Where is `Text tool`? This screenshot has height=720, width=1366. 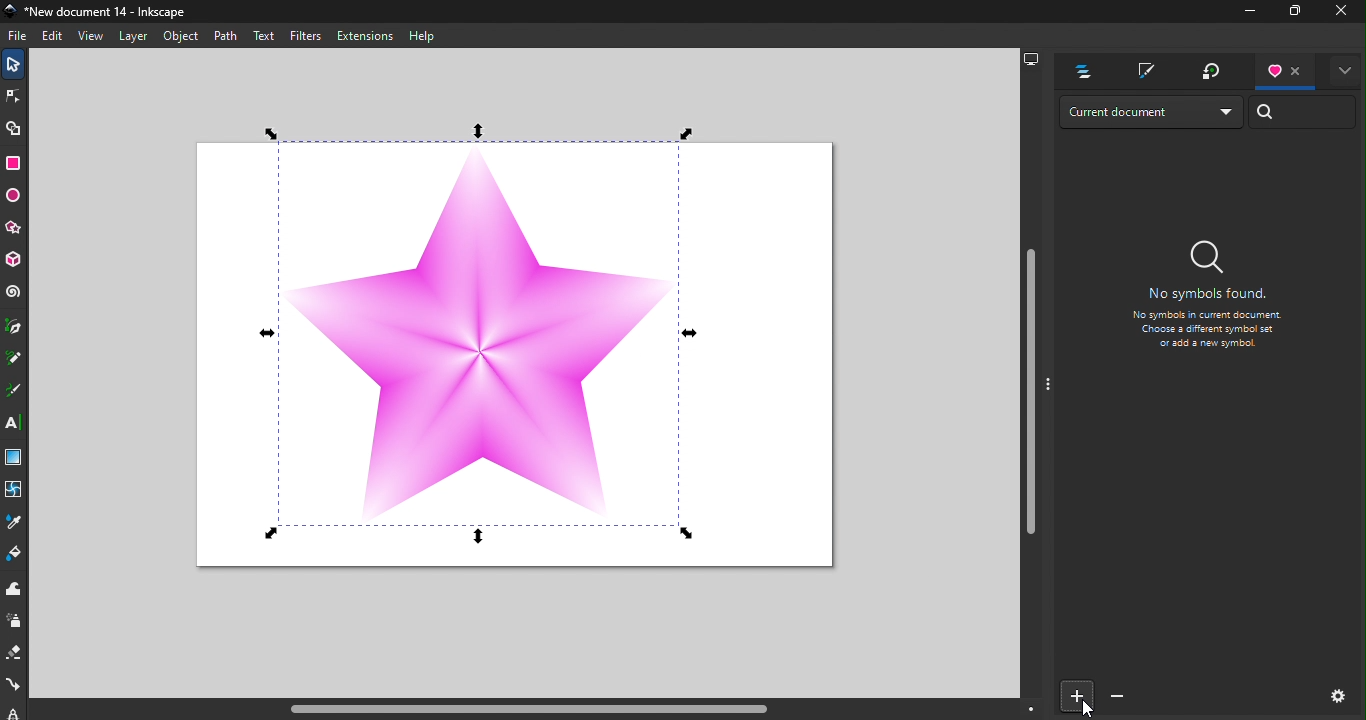
Text tool is located at coordinates (15, 423).